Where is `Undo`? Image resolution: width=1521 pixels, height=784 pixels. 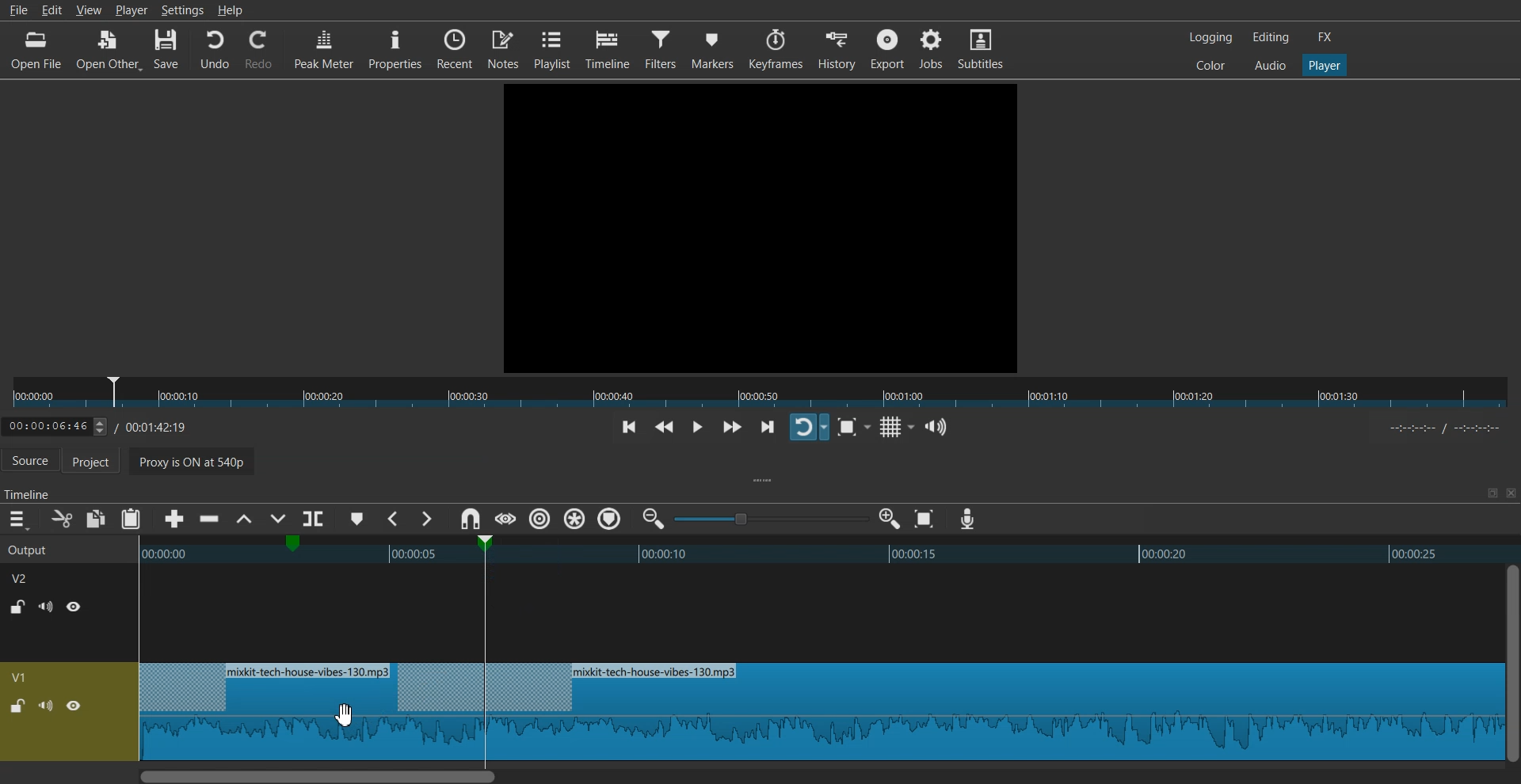
Undo is located at coordinates (215, 50).